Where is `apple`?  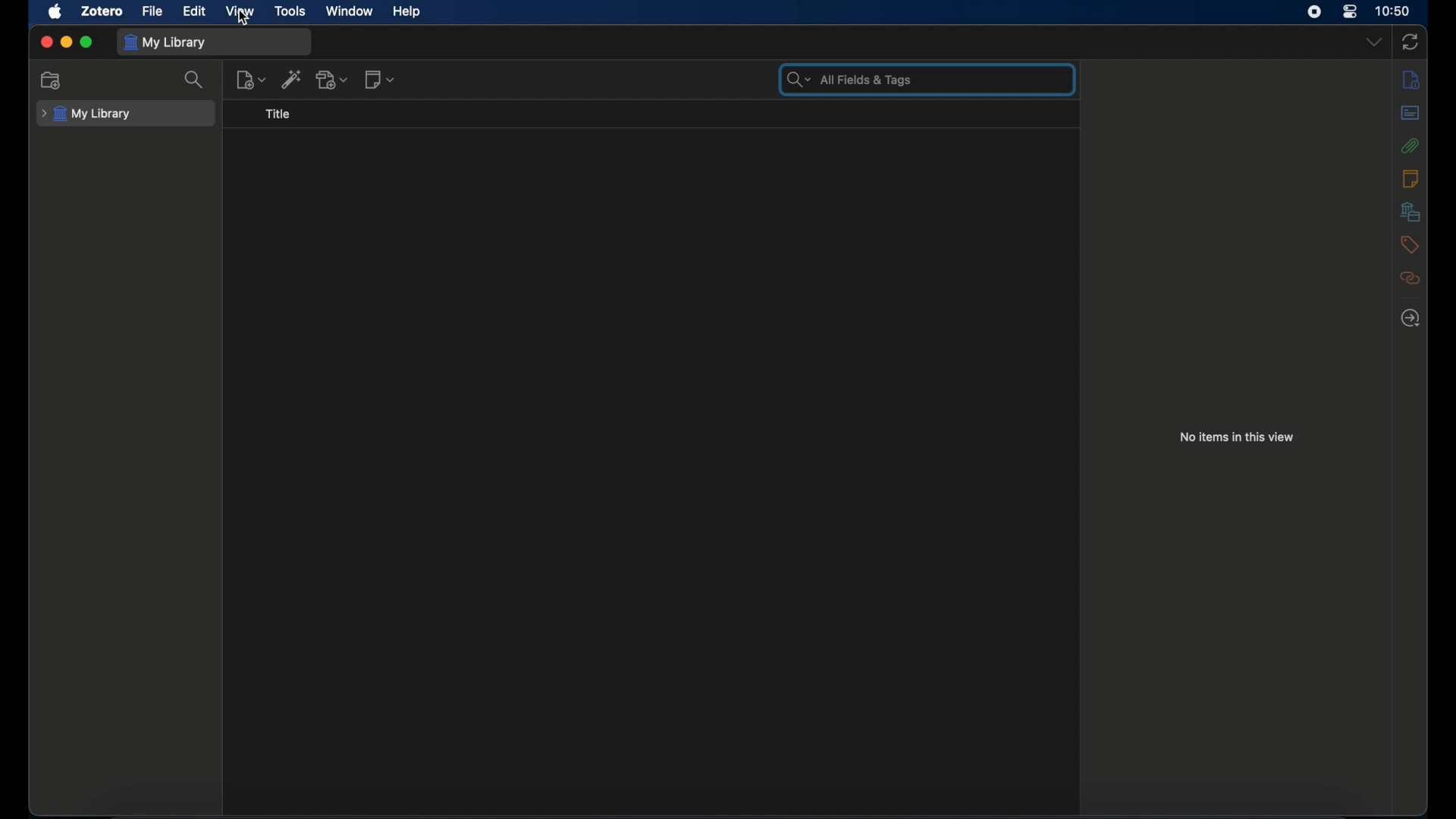 apple is located at coordinates (55, 11).